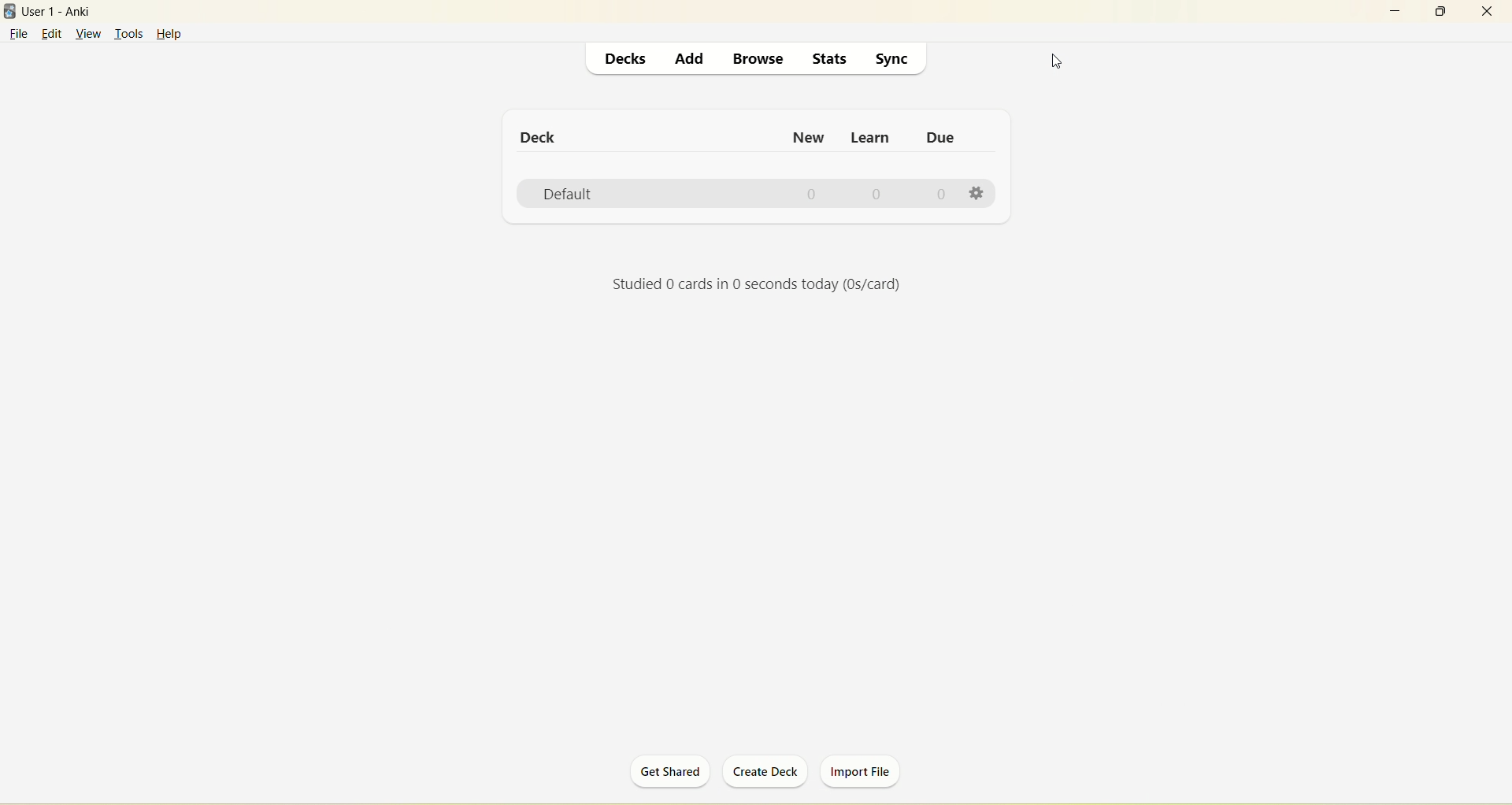 This screenshot has height=805, width=1512. Describe the element at coordinates (88, 35) in the screenshot. I see `view` at that location.